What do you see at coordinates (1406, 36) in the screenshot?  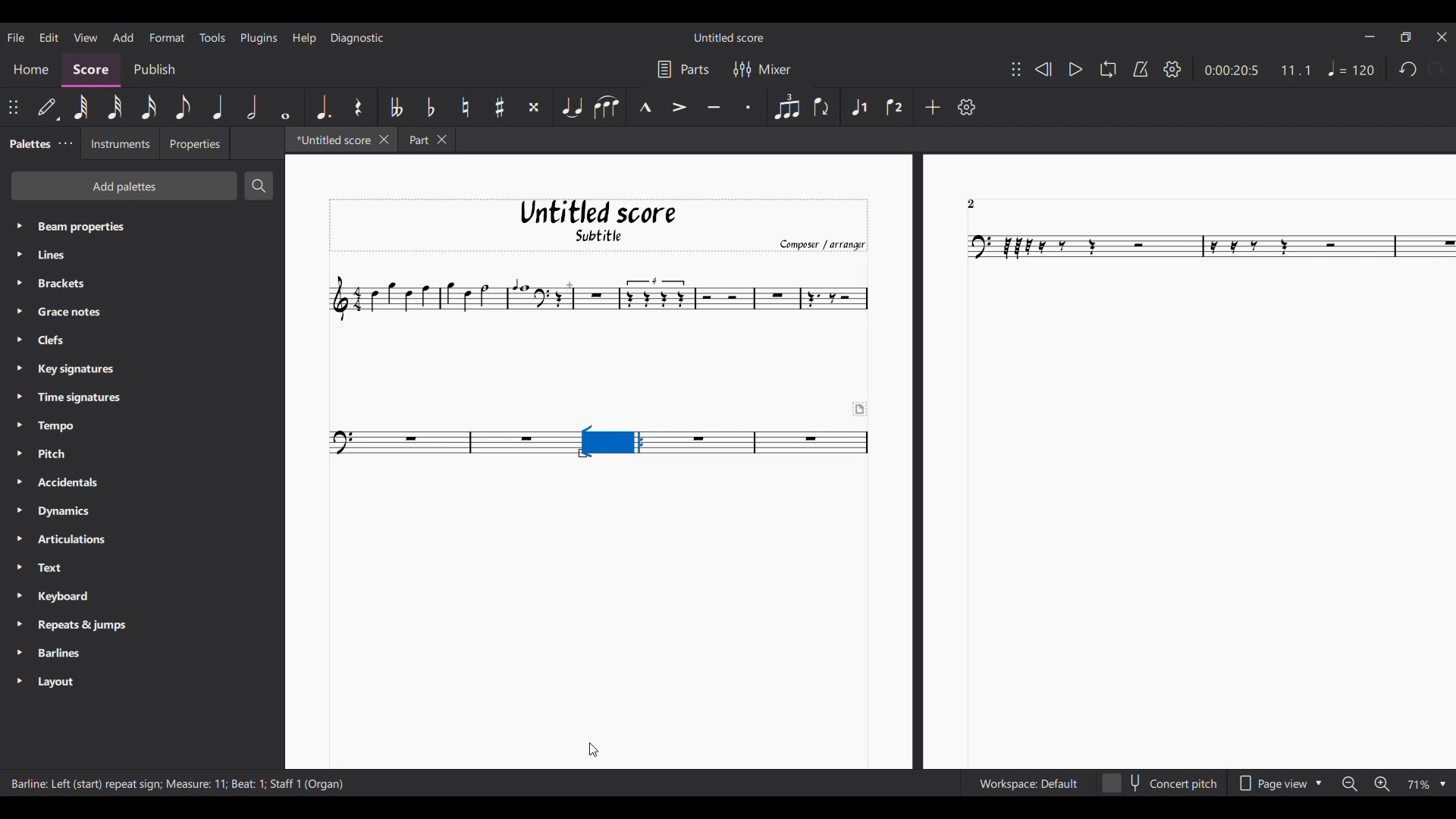 I see `Show in smaller tab` at bounding box center [1406, 36].